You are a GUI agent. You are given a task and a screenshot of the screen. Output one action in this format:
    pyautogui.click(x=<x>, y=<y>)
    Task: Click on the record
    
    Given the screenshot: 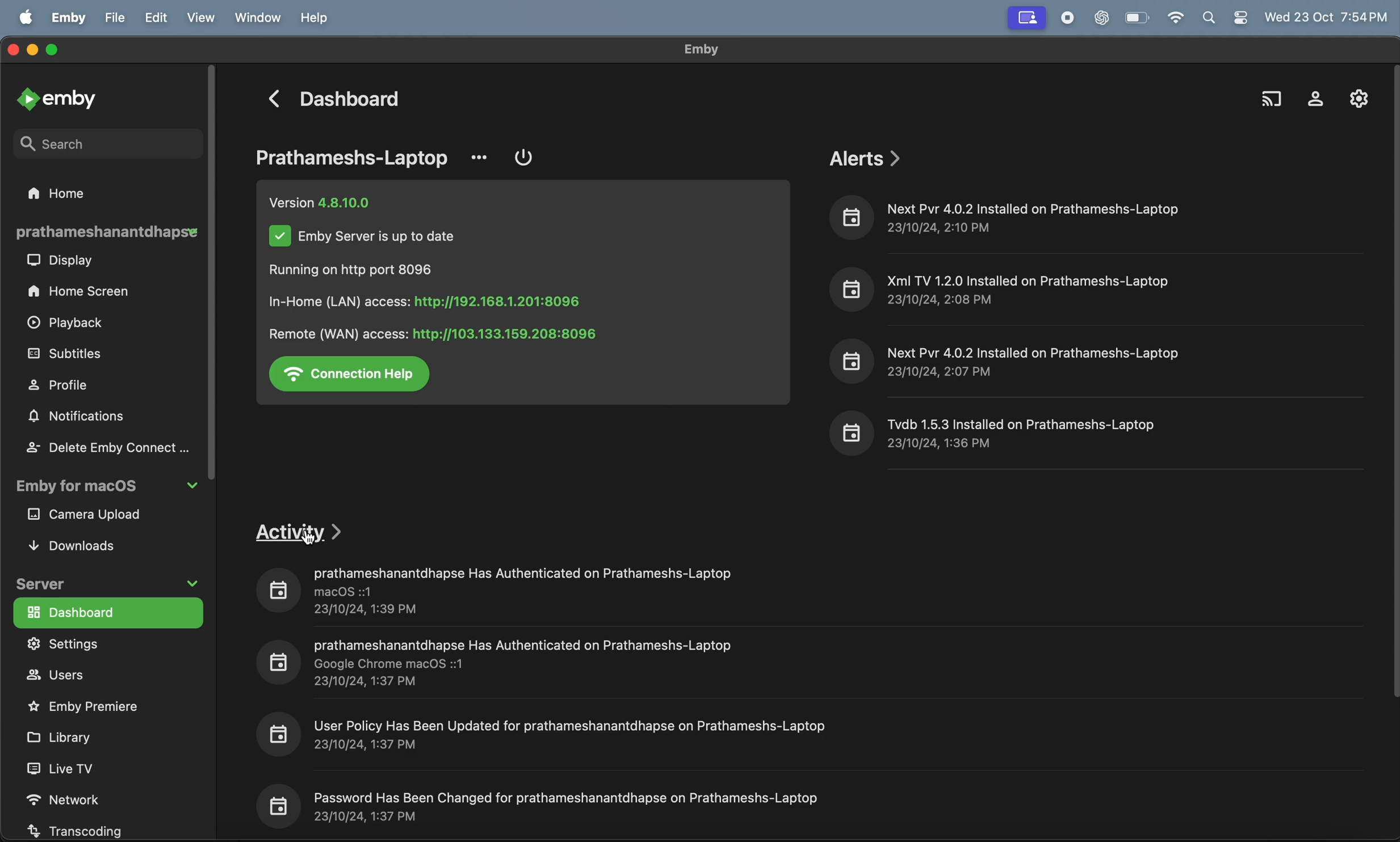 What is the action you would take?
    pyautogui.click(x=1065, y=18)
    